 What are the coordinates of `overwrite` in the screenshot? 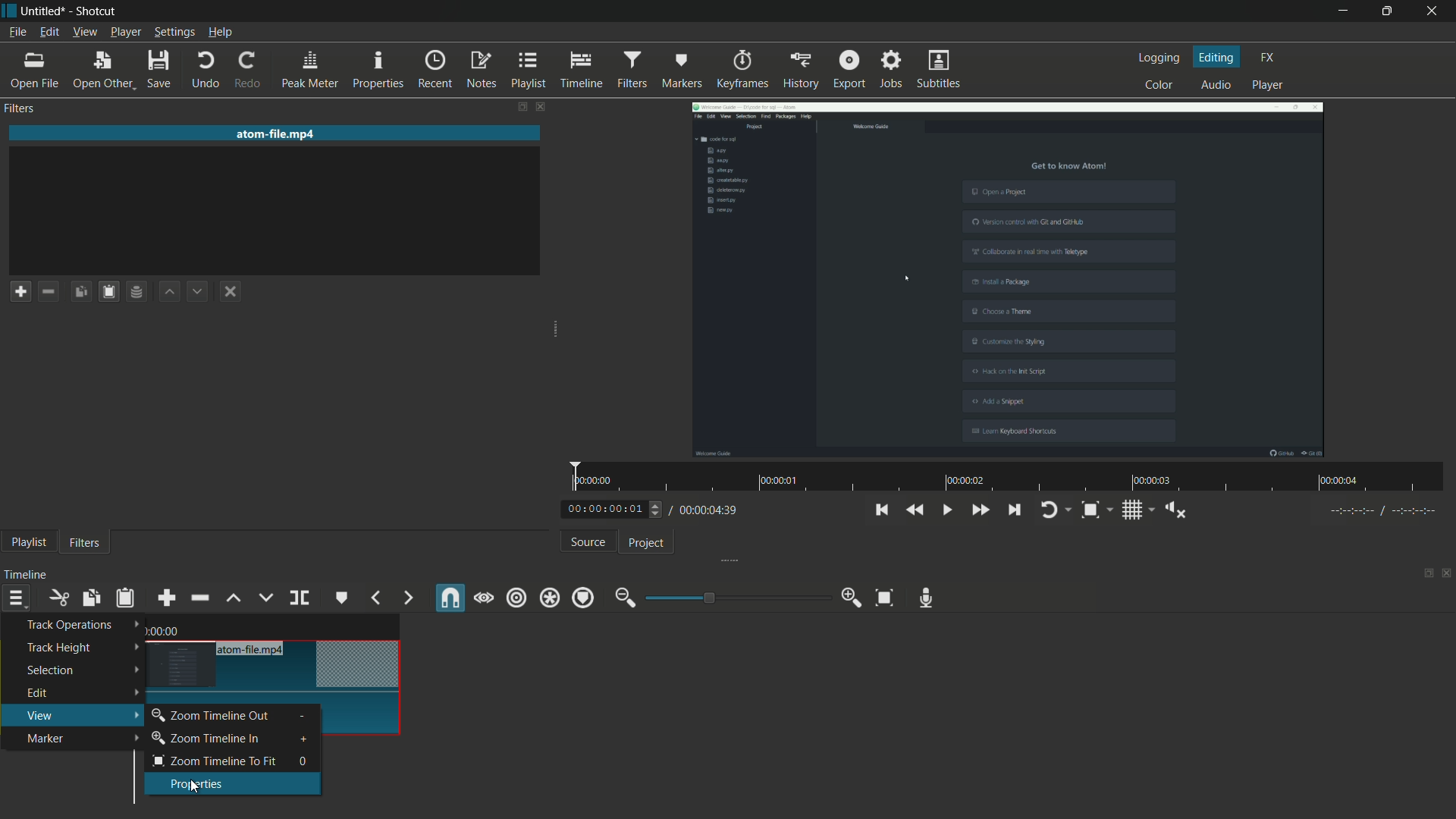 It's located at (265, 597).